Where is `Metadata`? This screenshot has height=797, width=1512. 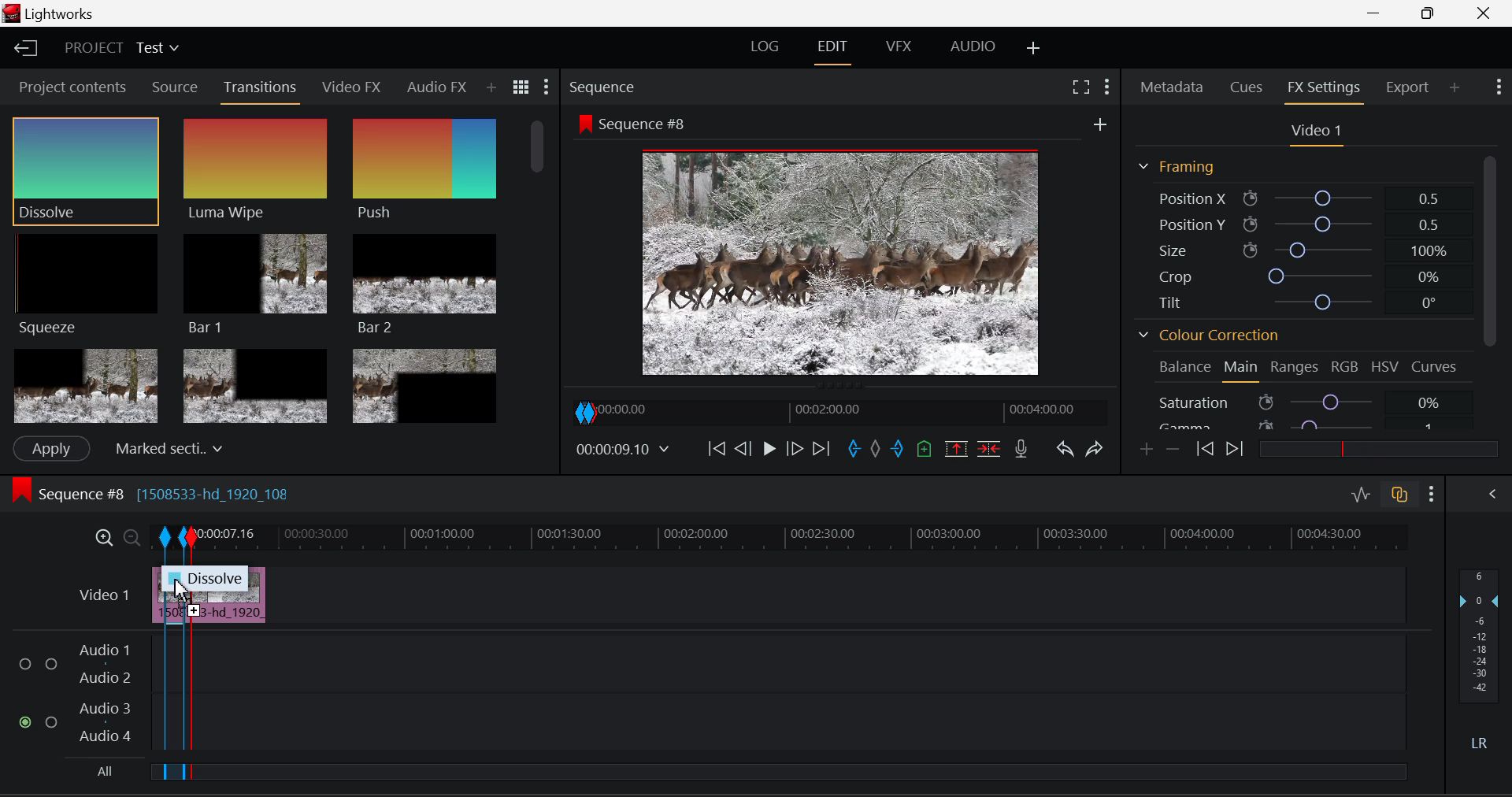 Metadata is located at coordinates (1172, 88).